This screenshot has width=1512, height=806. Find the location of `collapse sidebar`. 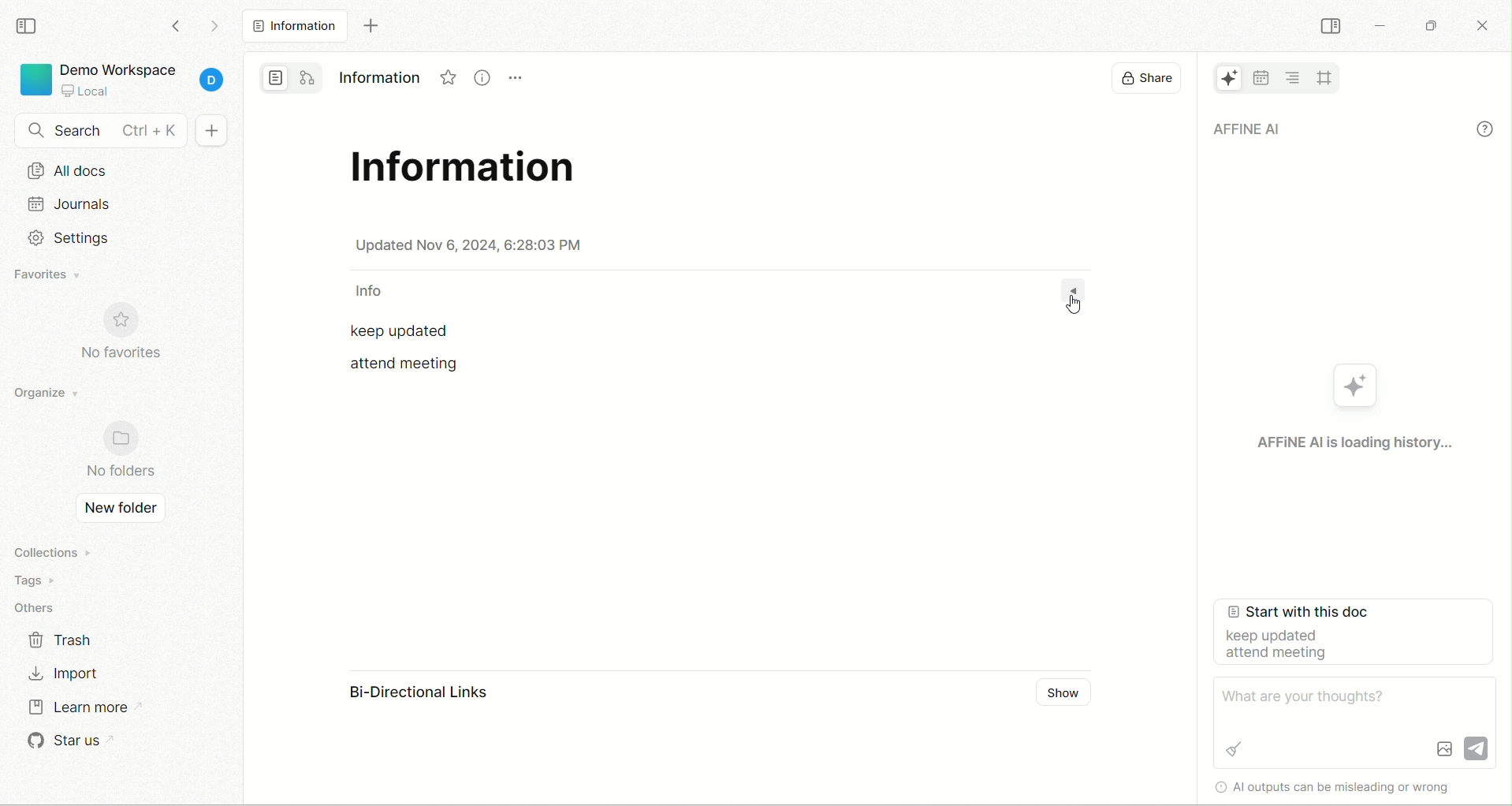

collapse sidebar is located at coordinates (27, 27).